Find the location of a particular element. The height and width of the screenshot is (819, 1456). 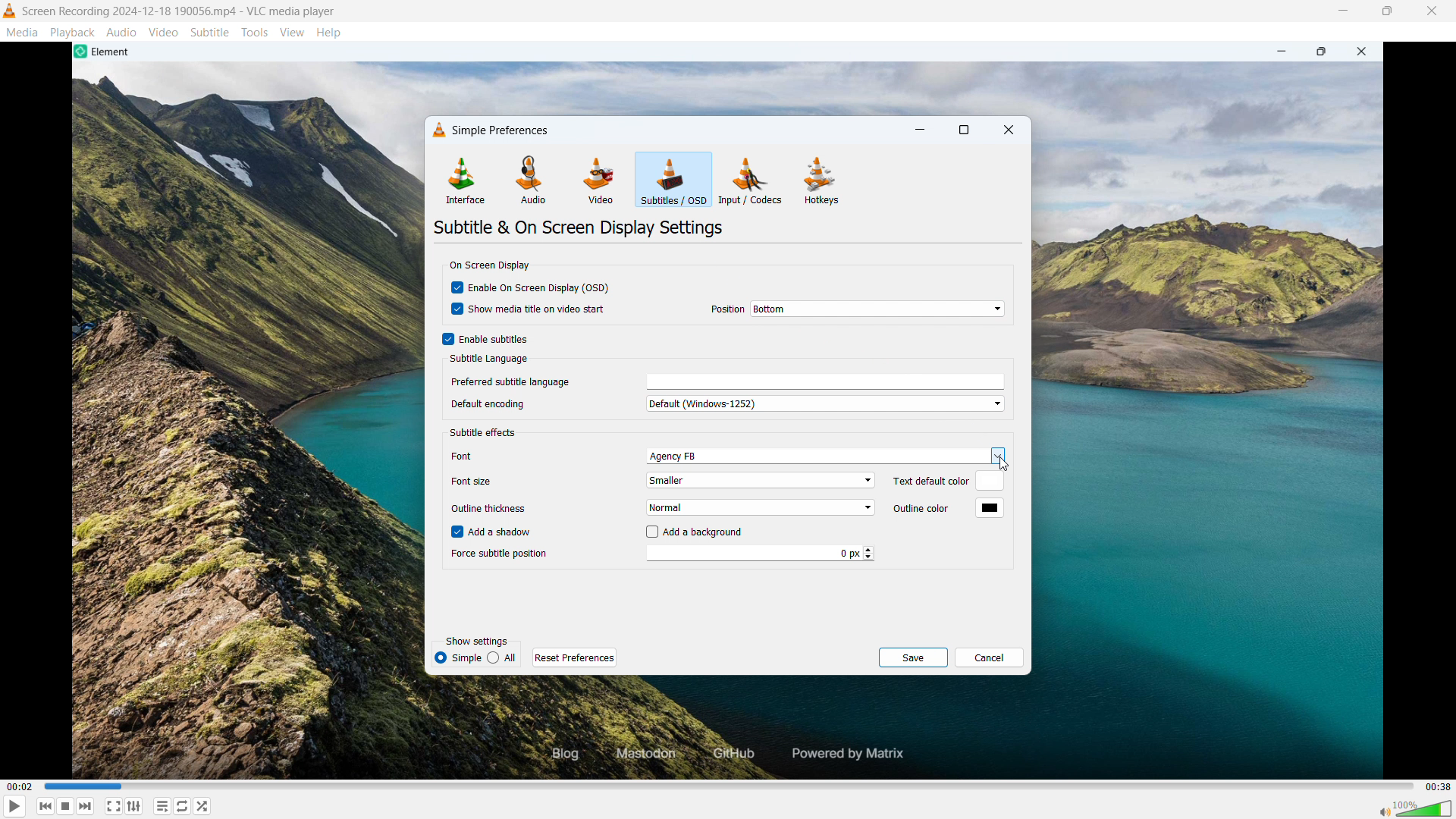

Position is located at coordinates (728, 309).